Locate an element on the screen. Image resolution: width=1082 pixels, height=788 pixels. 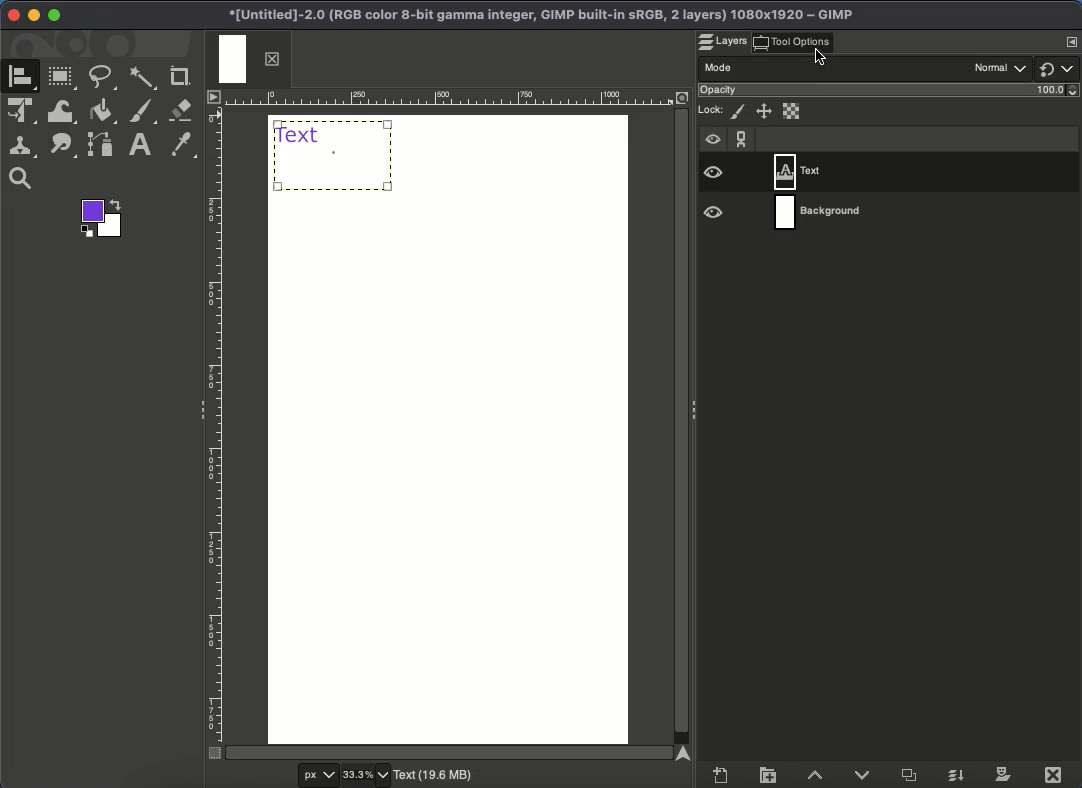
Menu is located at coordinates (212, 96).